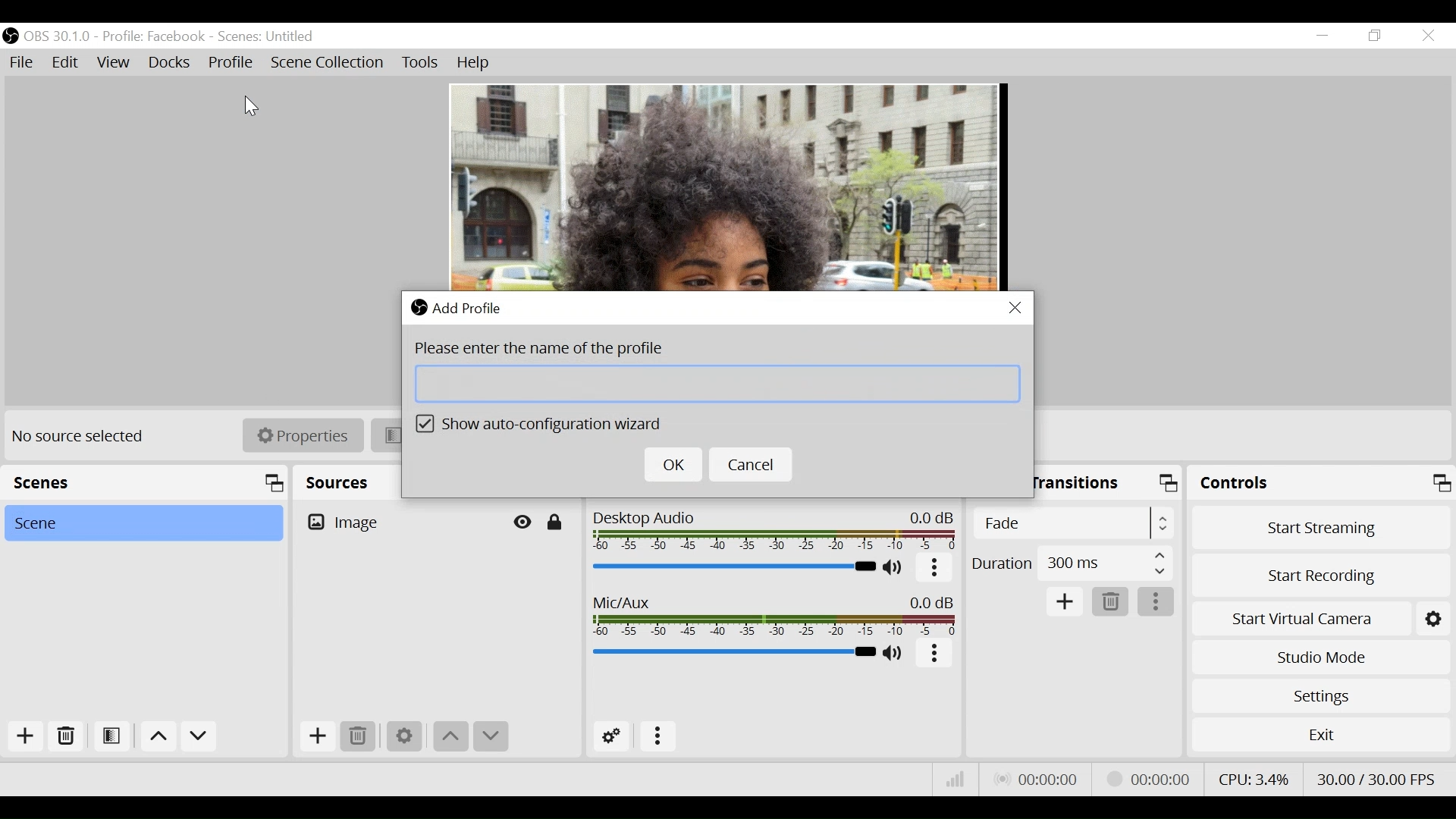 The image size is (1456, 819). What do you see at coordinates (734, 567) in the screenshot?
I see `Desktop Audio Slider` at bounding box center [734, 567].